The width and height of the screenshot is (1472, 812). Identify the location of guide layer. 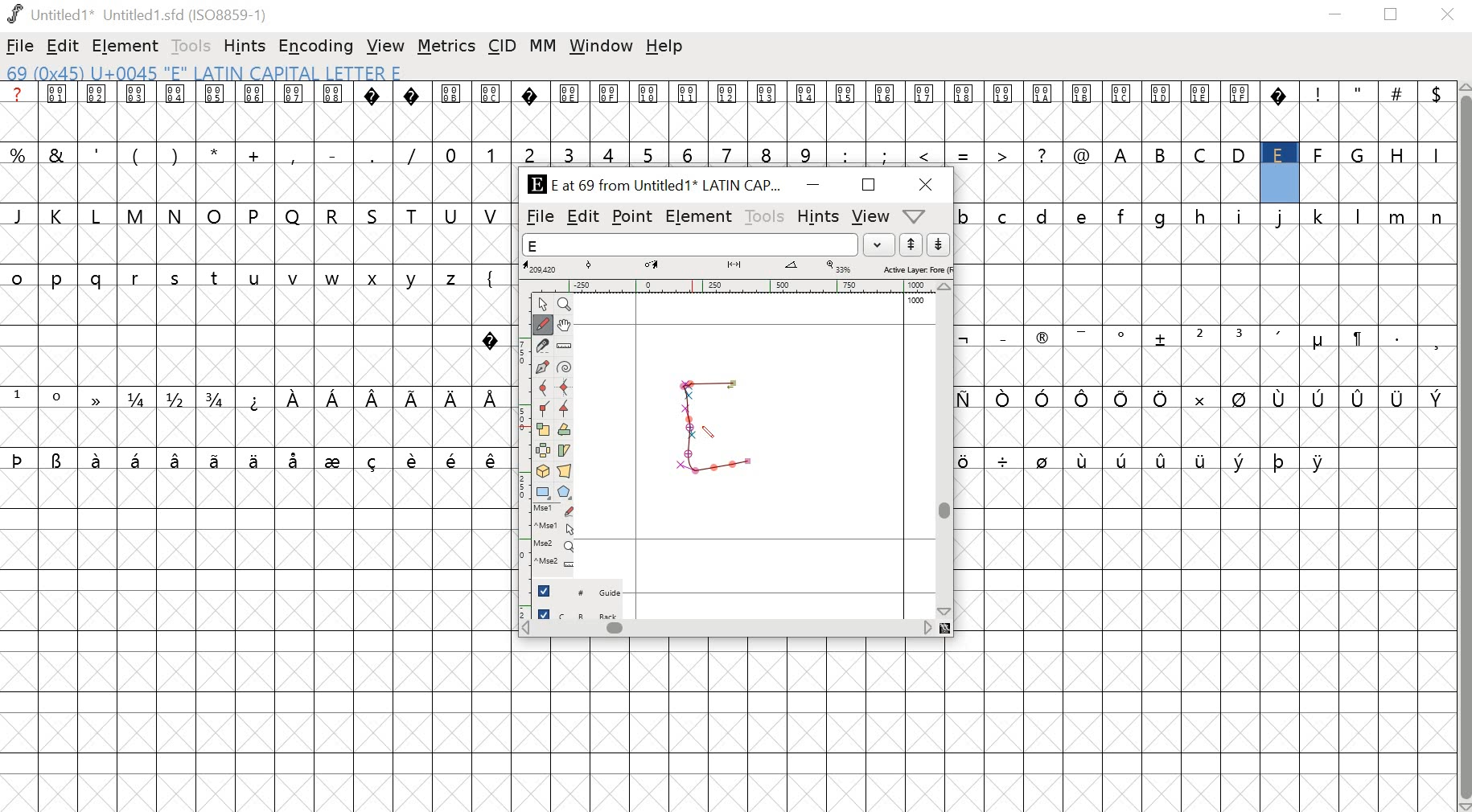
(578, 594).